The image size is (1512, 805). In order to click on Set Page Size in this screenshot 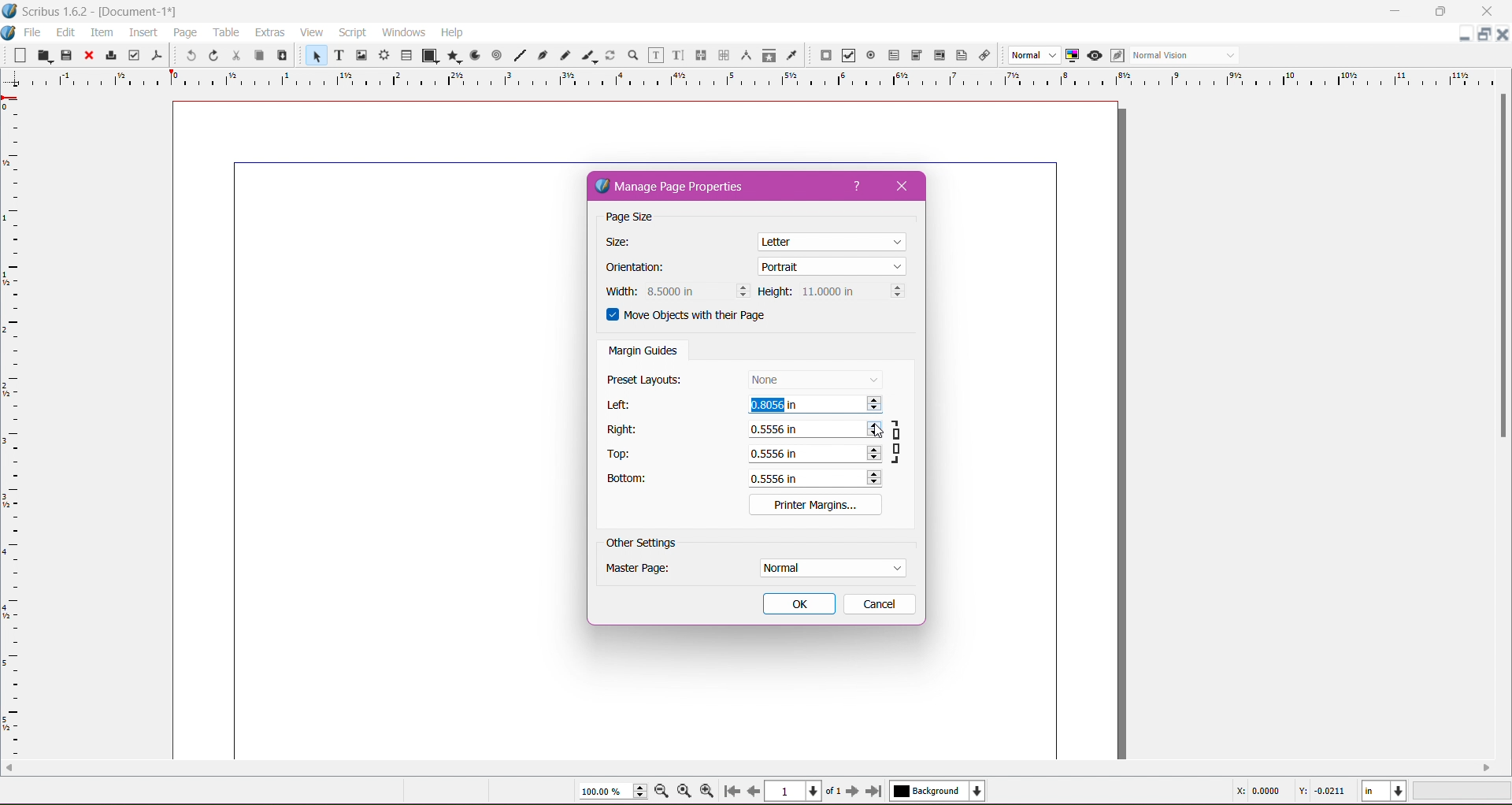, I will do `click(833, 240)`.